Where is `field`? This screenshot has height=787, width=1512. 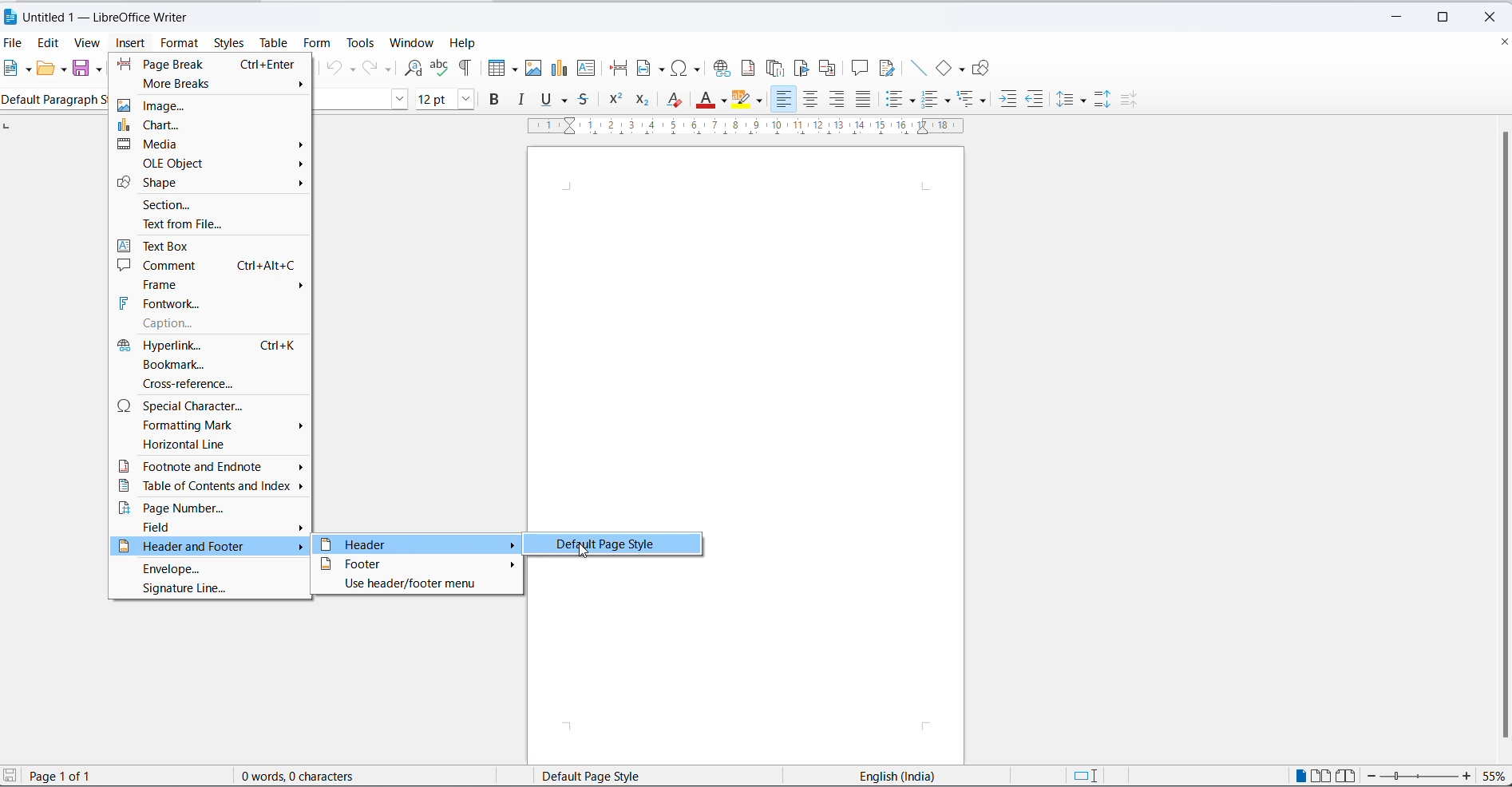 field is located at coordinates (208, 529).